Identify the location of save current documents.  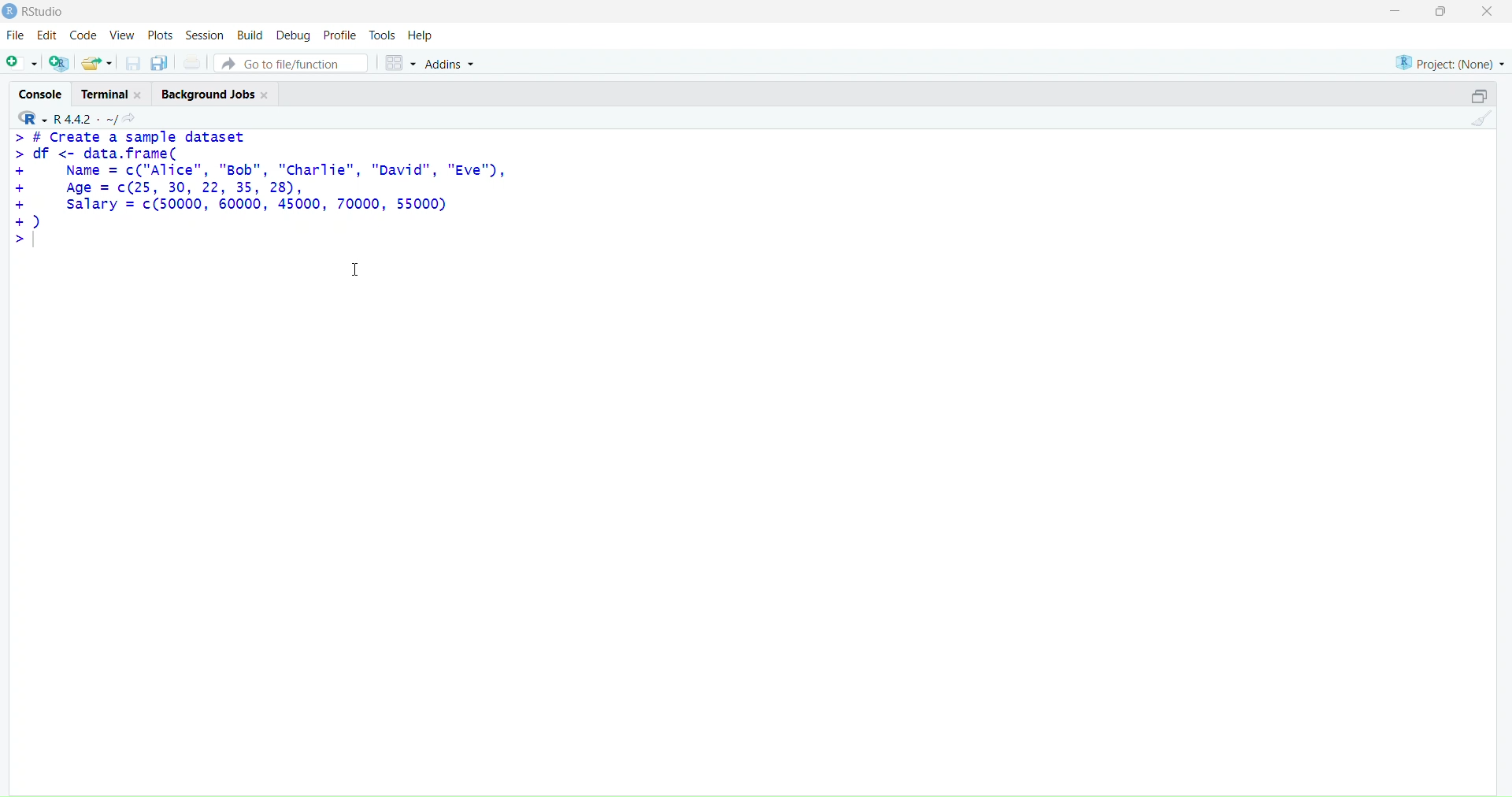
(134, 64).